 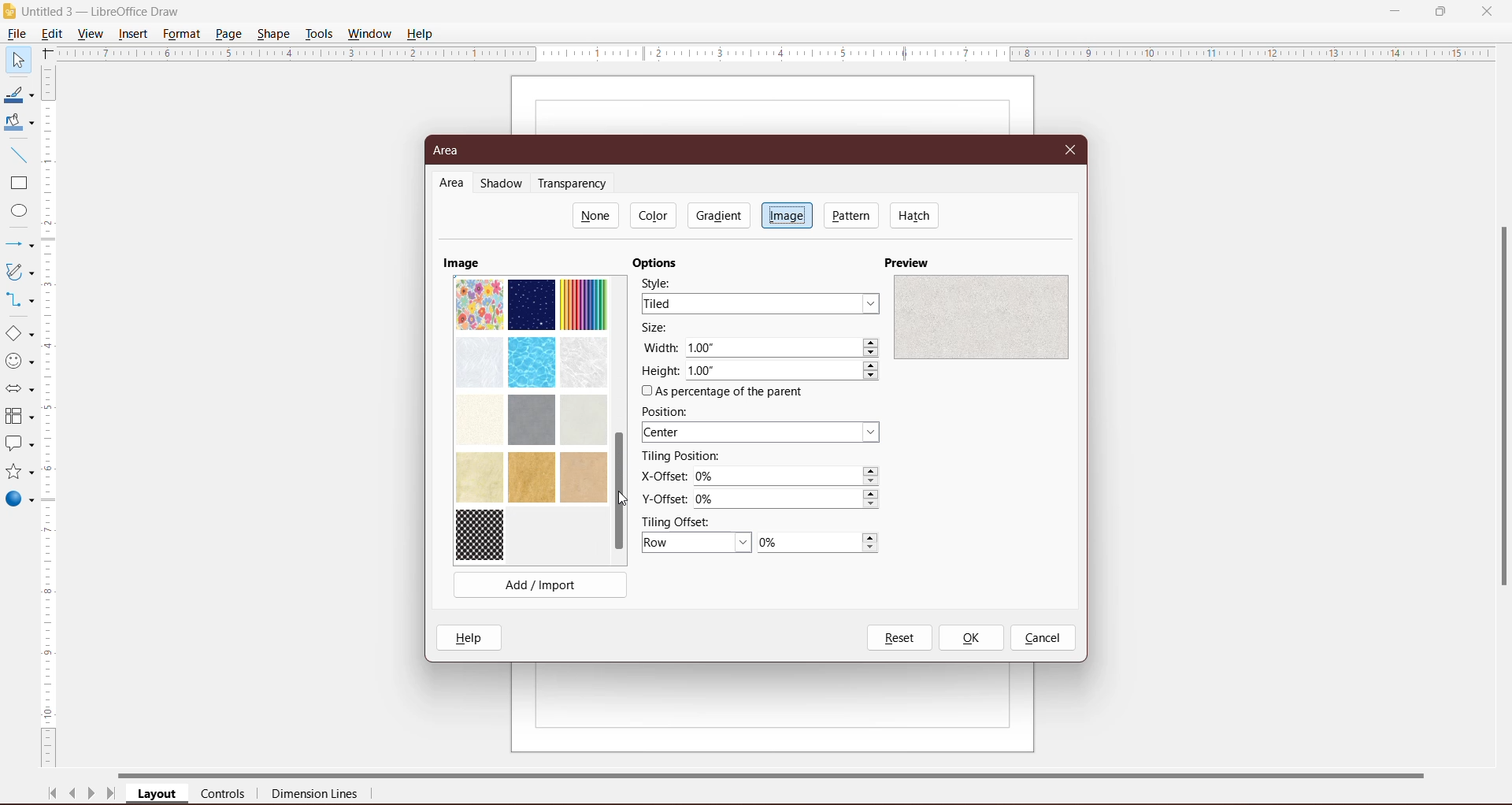 I want to click on Format, so click(x=181, y=34).